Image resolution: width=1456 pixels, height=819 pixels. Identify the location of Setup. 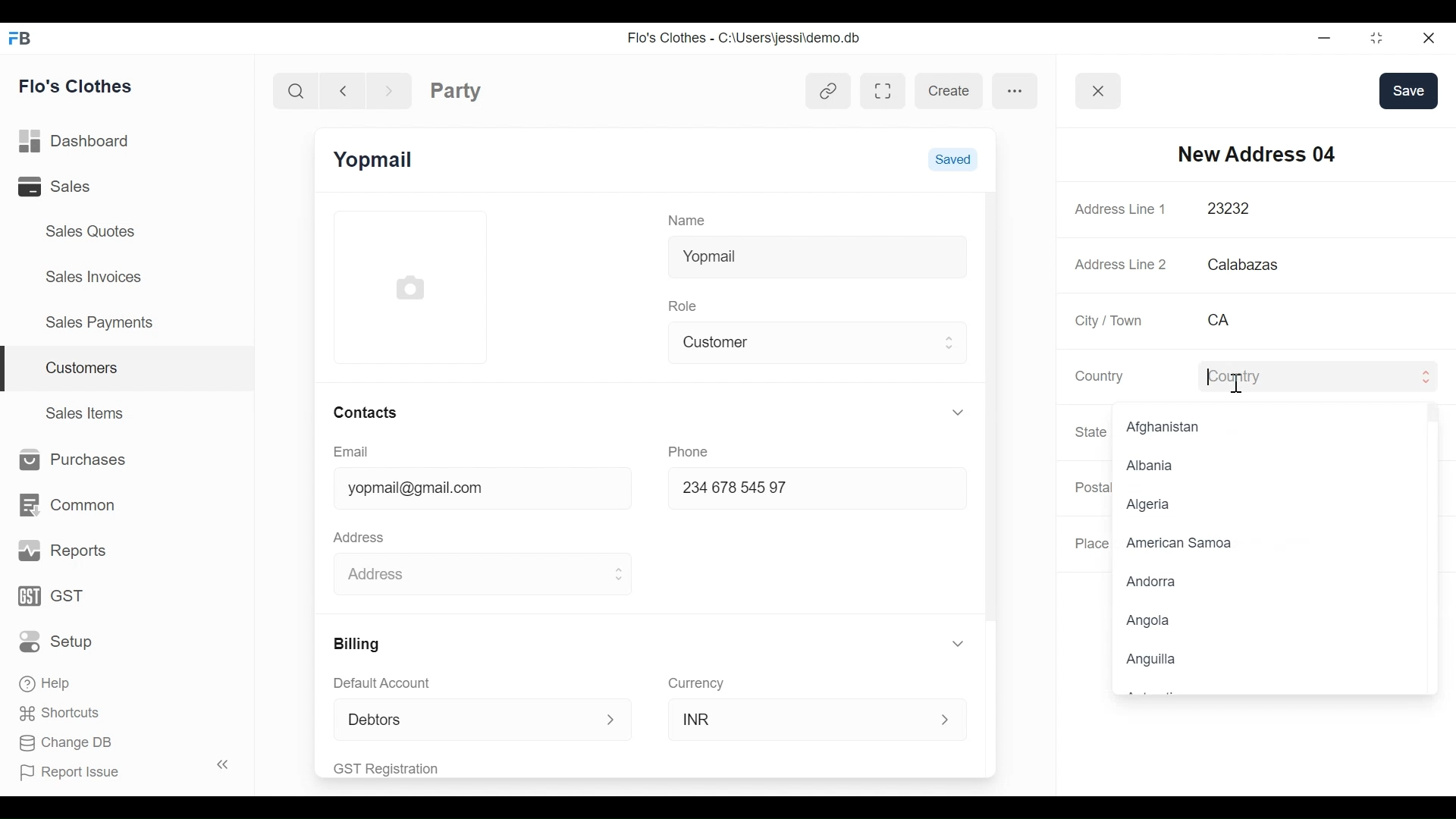
(60, 641).